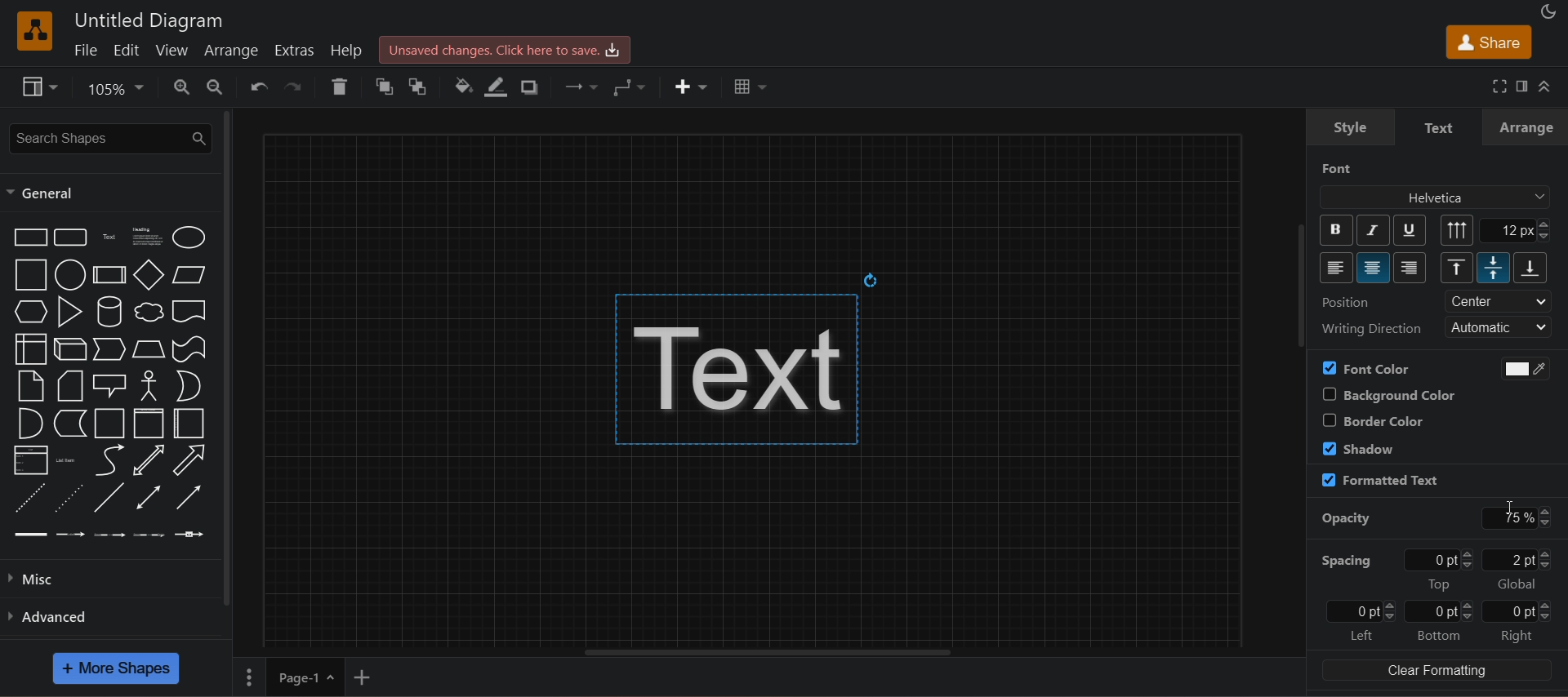 The height and width of the screenshot is (697, 1568). What do you see at coordinates (190, 275) in the screenshot?
I see `parallelogram` at bounding box center [190, 275].